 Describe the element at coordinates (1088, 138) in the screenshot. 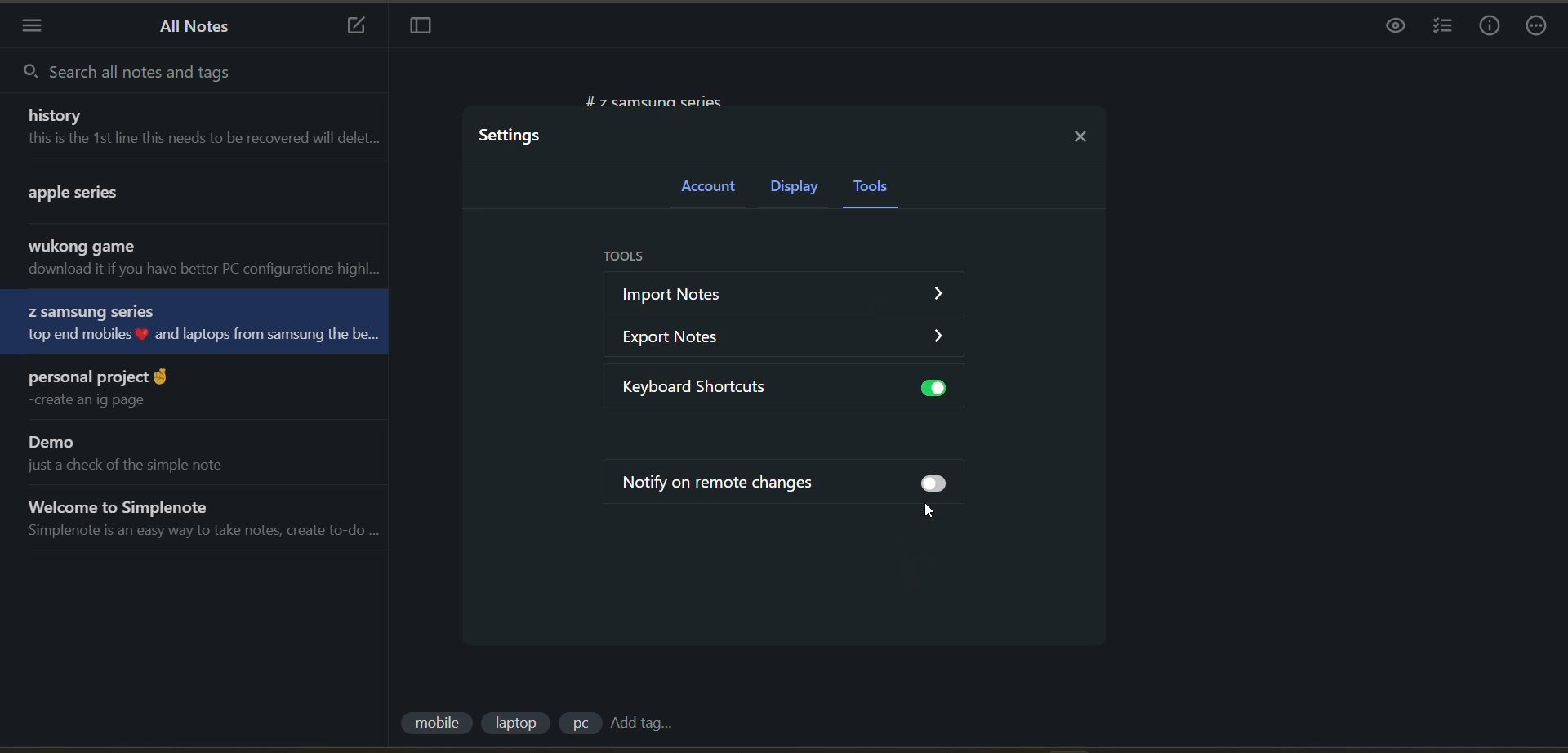

I see `close` at that location.